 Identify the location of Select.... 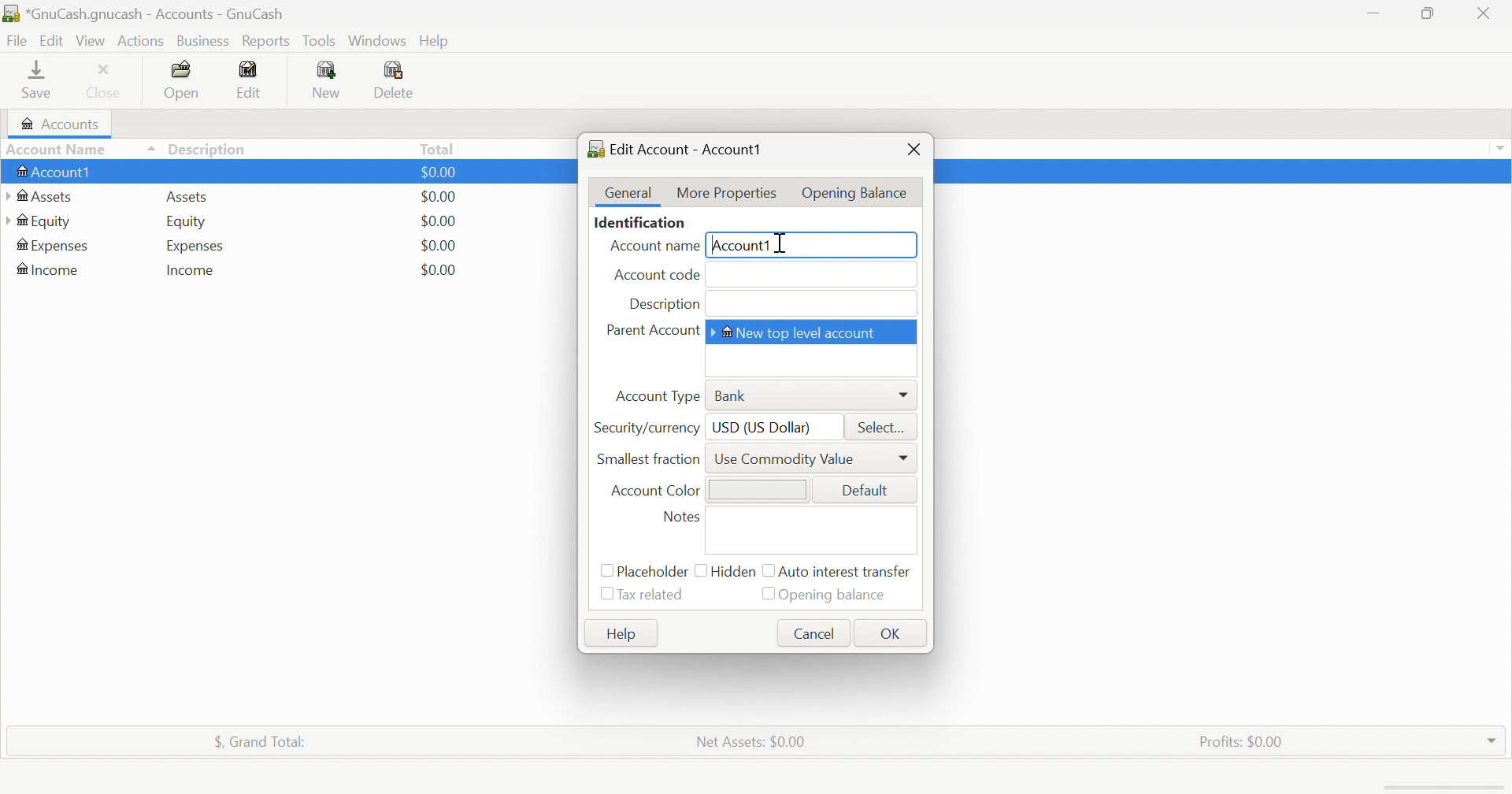
(883, 429).